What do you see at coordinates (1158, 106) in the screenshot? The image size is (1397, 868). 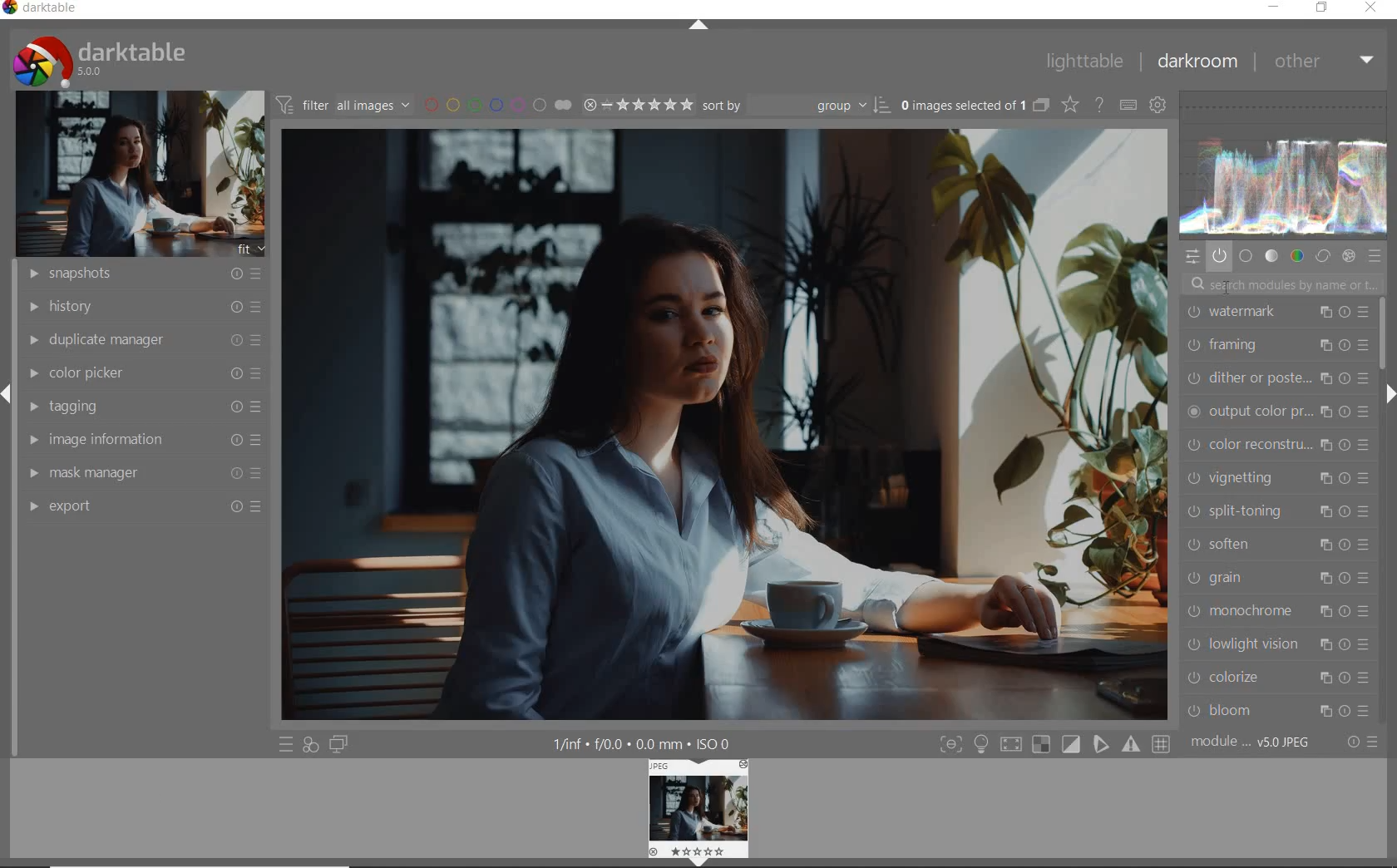 I see `show global preferences` at bounding box center [1158, 106].